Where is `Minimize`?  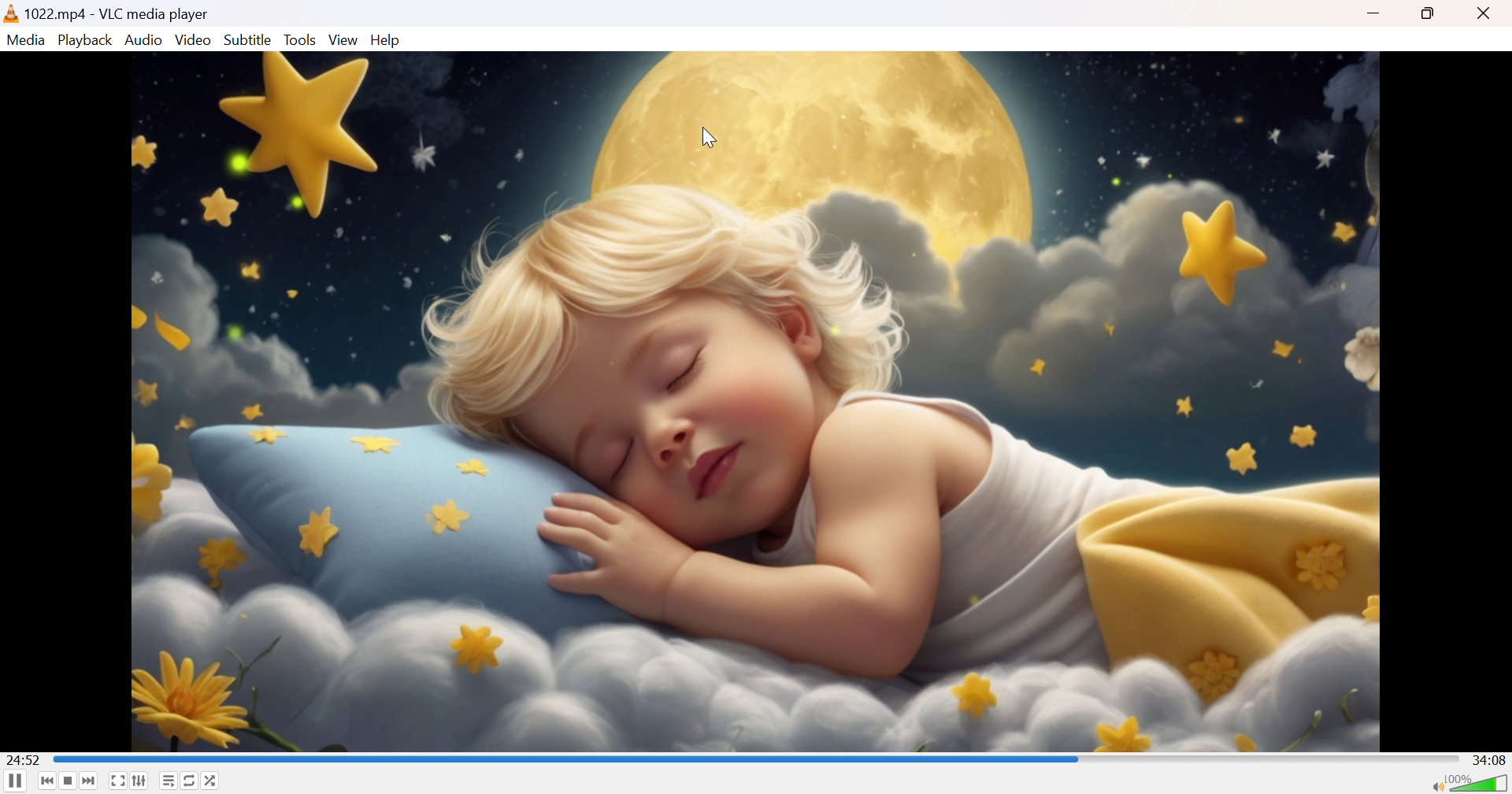 Minimize is located at coordinates (1375, 15).